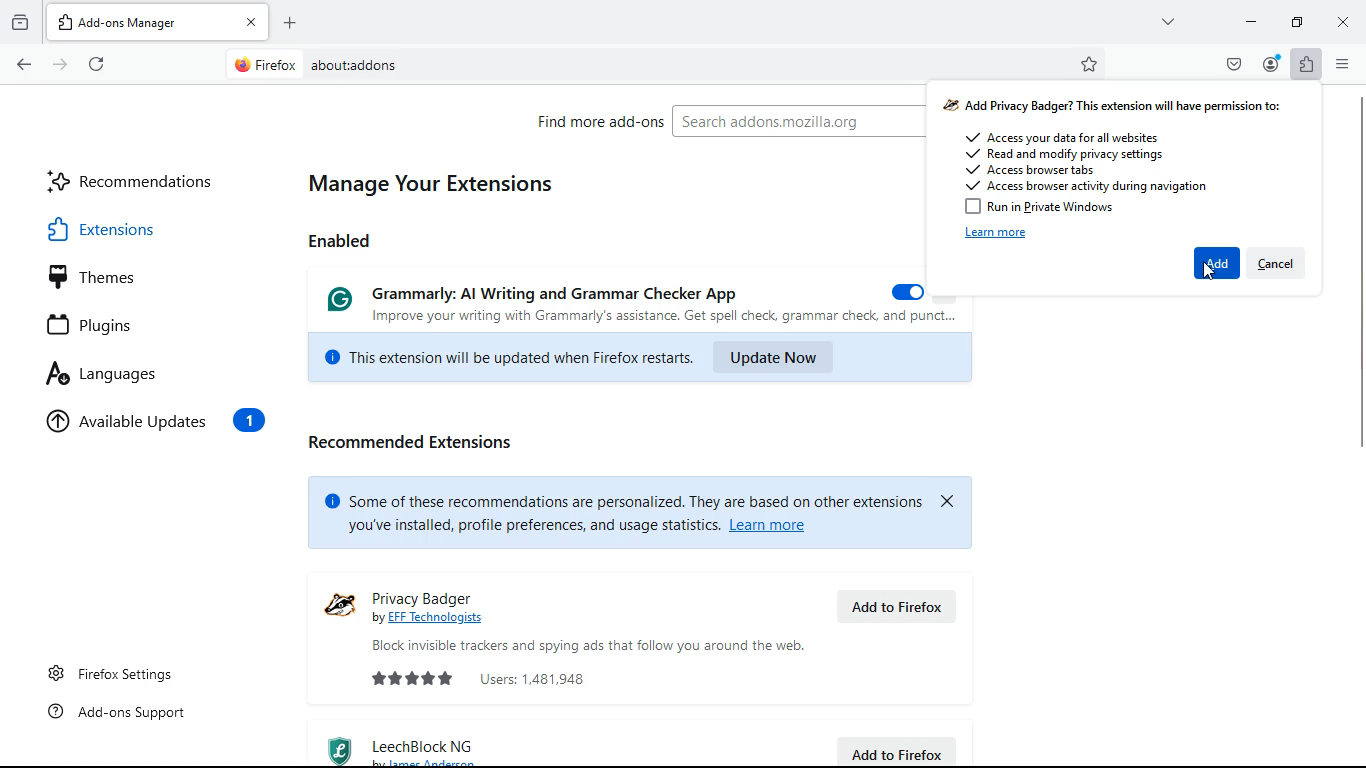 This screenshot has width=1366, height=768. I want to click on about:addons, so click(627, 65).